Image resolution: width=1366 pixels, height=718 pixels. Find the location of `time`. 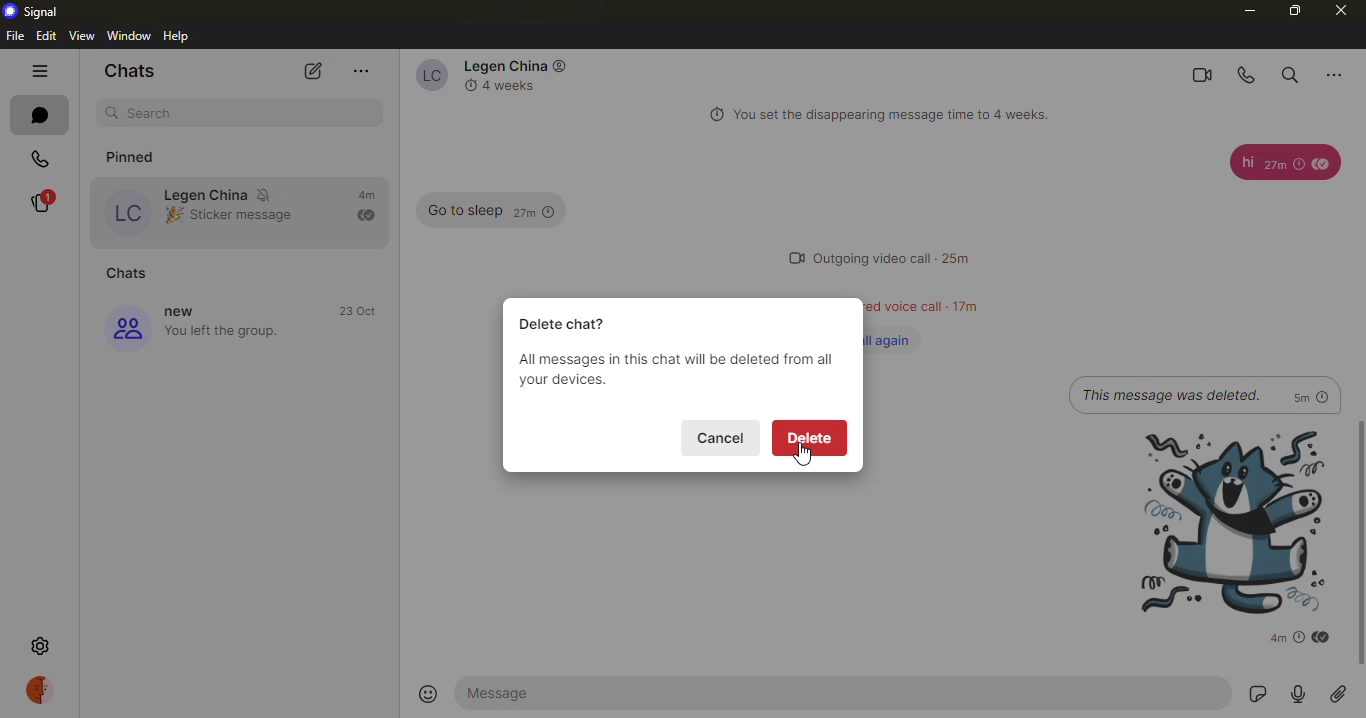

time is located at coordinates (366, 195).